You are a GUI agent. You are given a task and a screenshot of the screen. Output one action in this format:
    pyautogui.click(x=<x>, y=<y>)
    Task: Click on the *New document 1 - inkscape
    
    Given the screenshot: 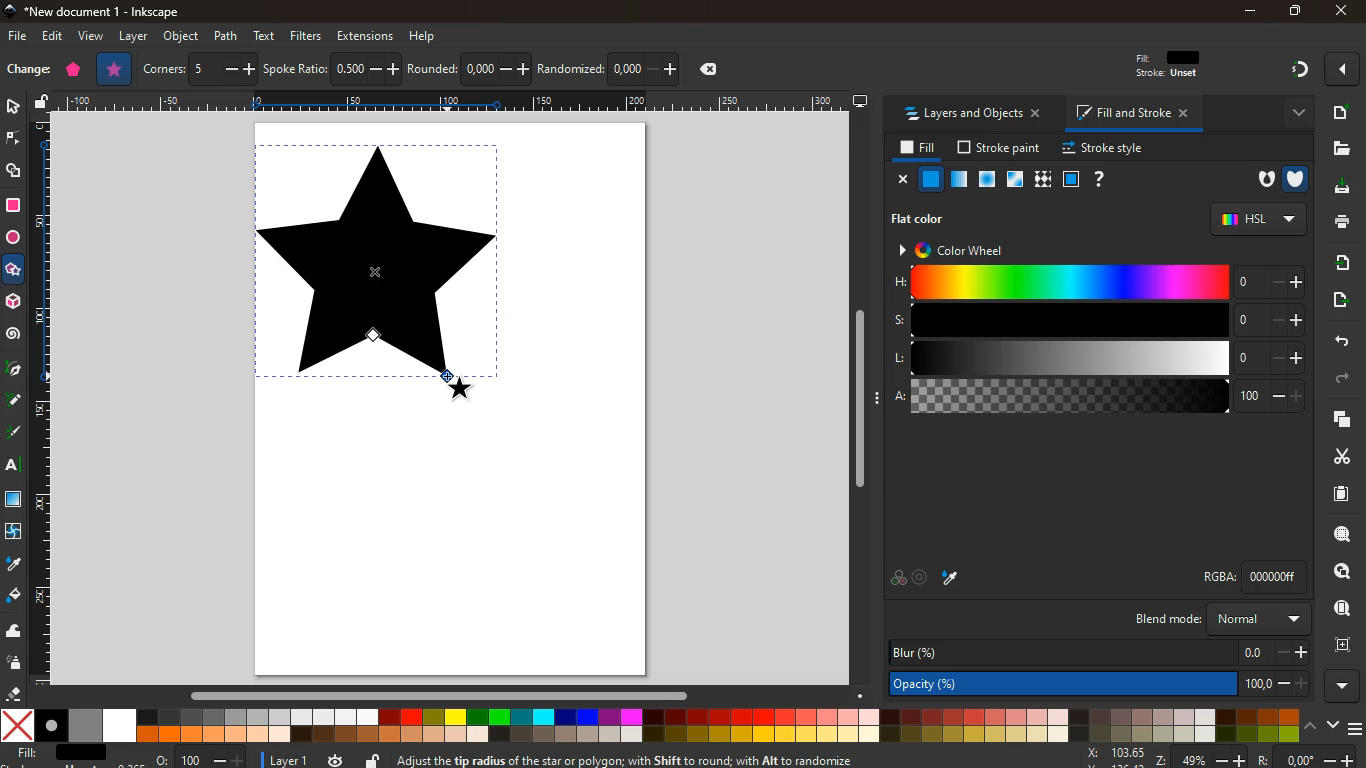 What is the action you would take?
    pyautogui.click(x=102, y=12)
    